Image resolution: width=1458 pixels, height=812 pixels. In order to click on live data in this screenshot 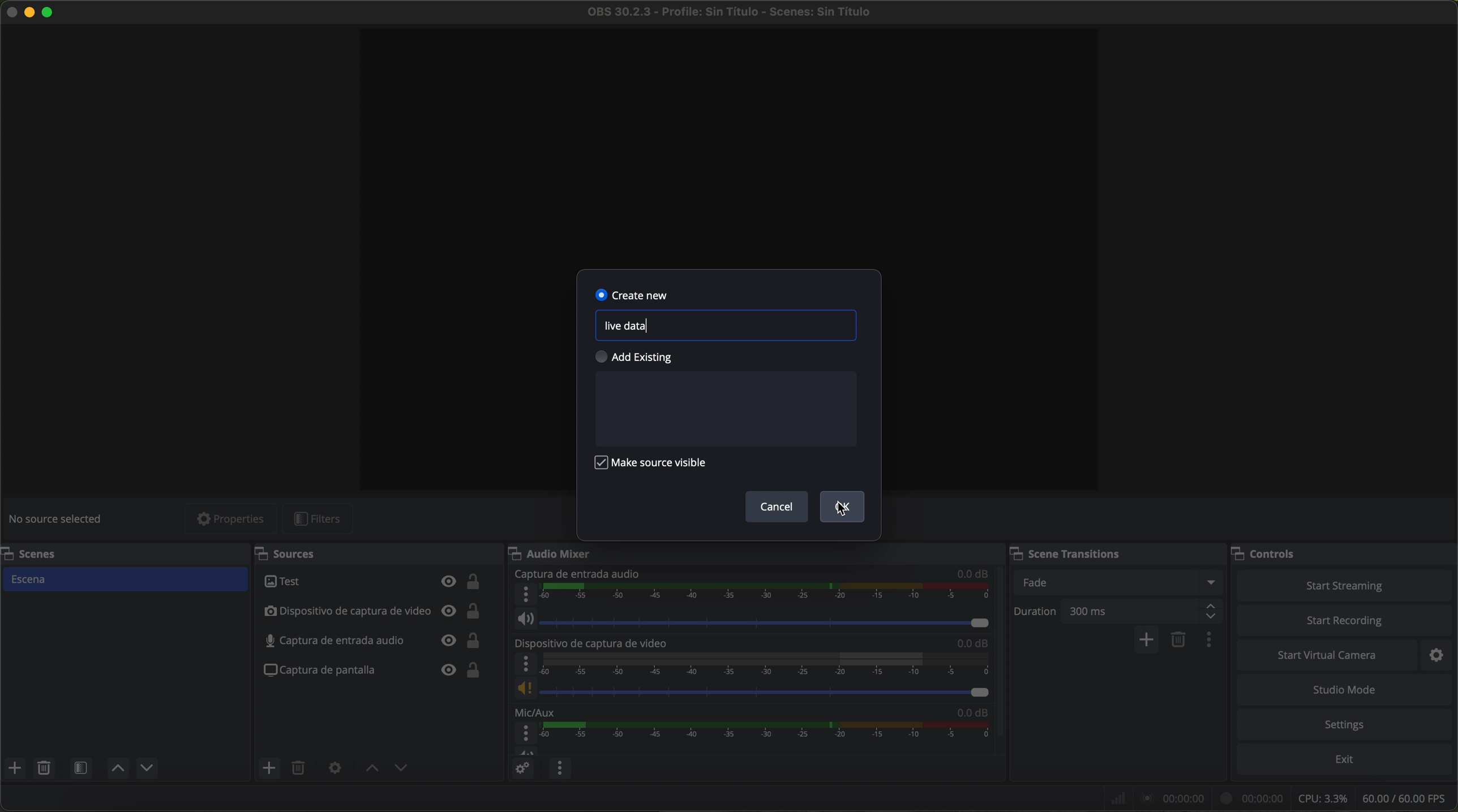, I will do `click(628, 327)`.